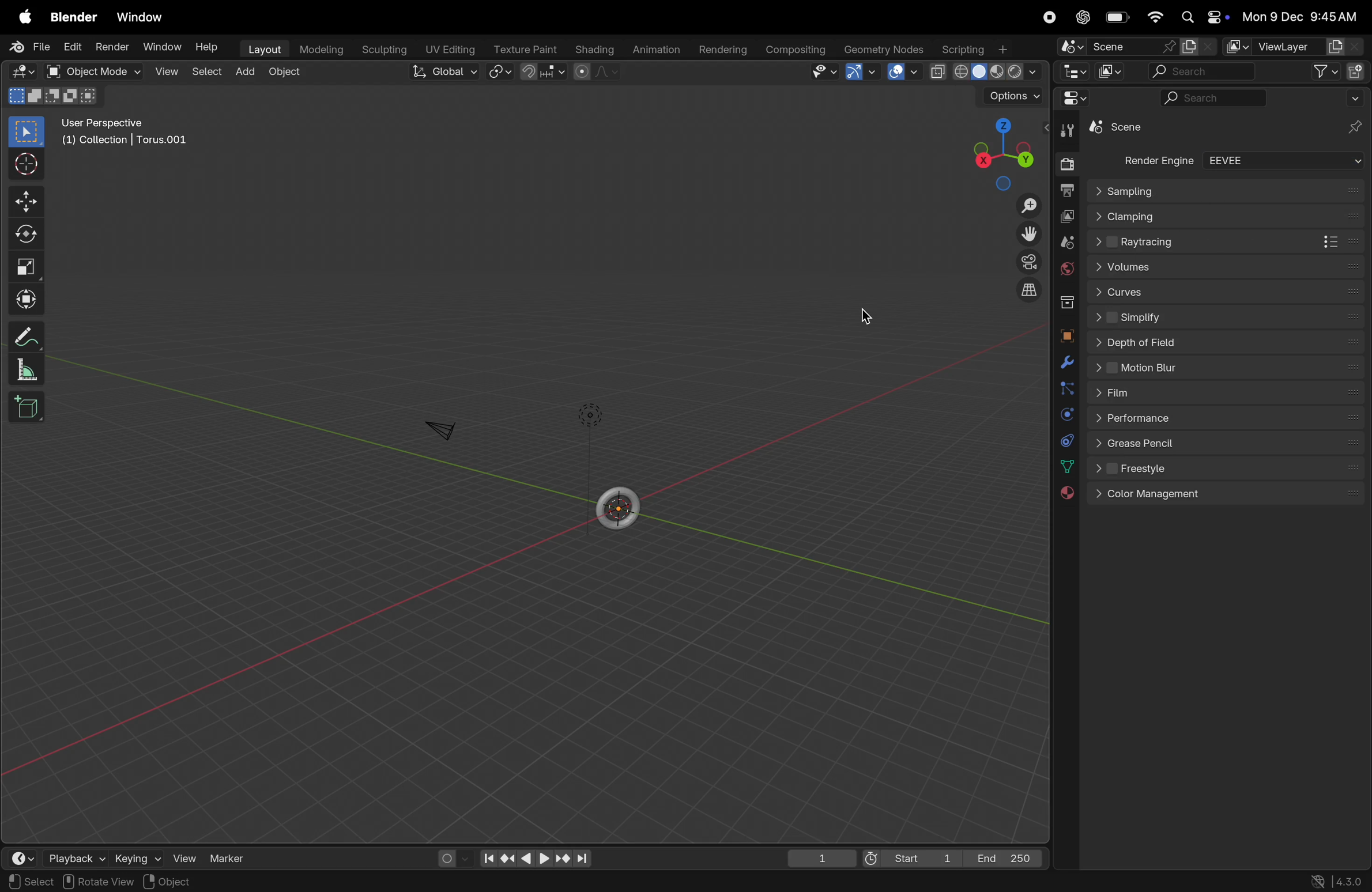 This screenshot has width=1372, height=892. I want to click on render, so click(114, 47).